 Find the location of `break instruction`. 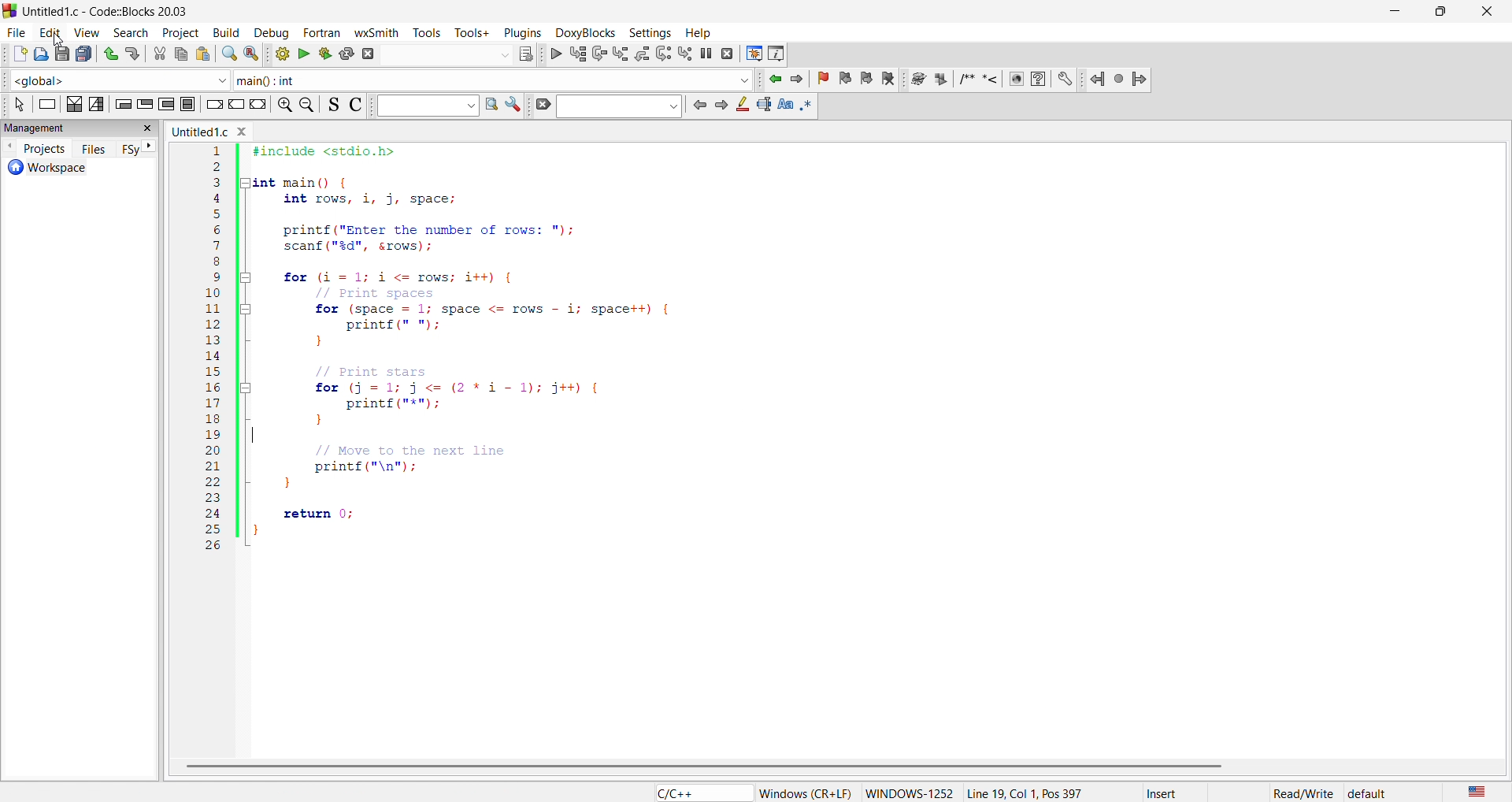

break instruction is located at coordinates (213, 106).